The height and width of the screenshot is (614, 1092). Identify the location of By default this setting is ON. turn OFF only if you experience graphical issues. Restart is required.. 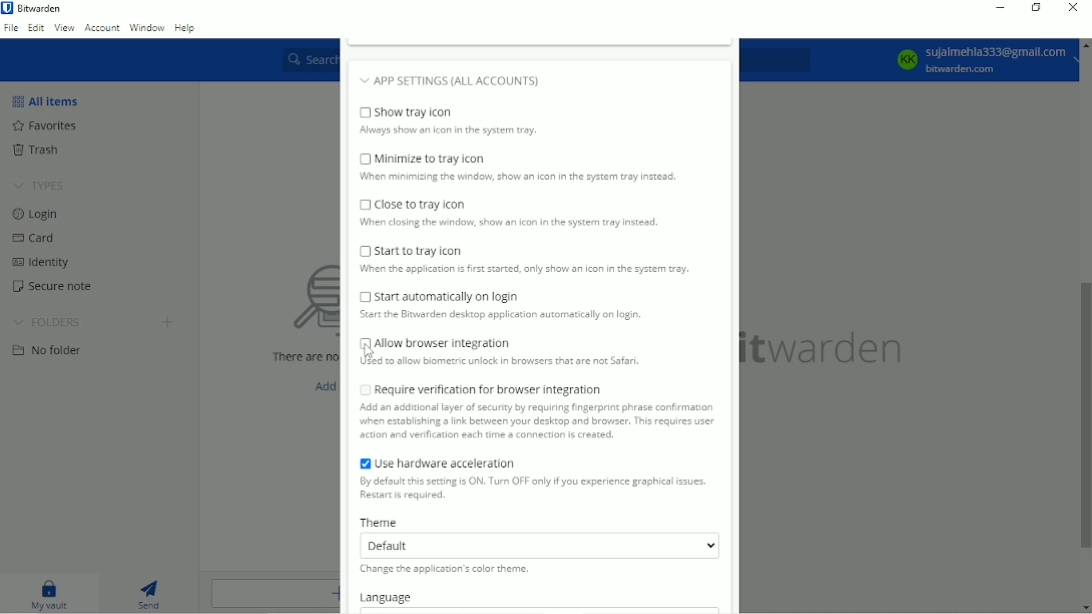
(530, 490).